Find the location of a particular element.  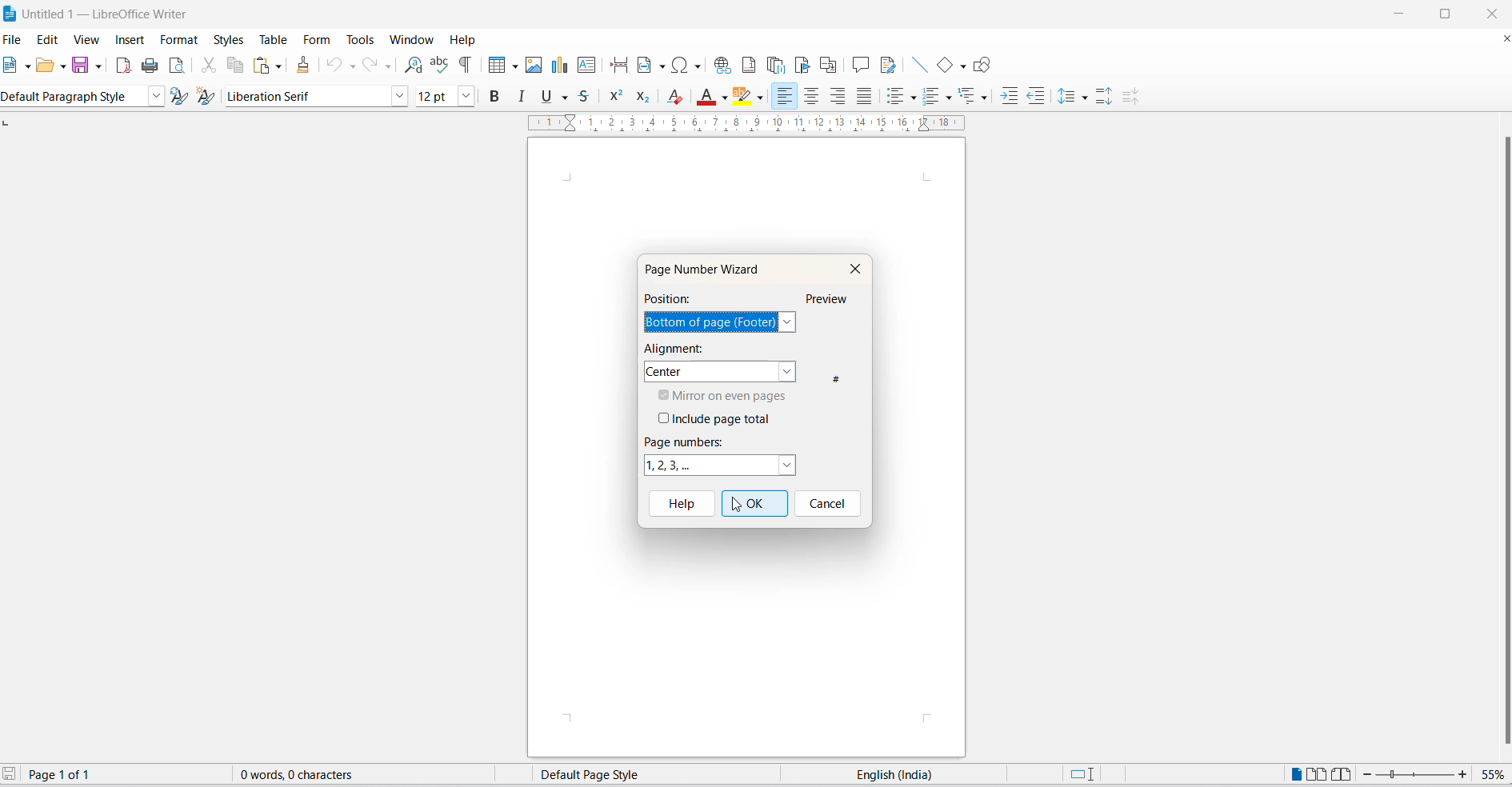

line spacing options is located at coordinates (1086, 98).